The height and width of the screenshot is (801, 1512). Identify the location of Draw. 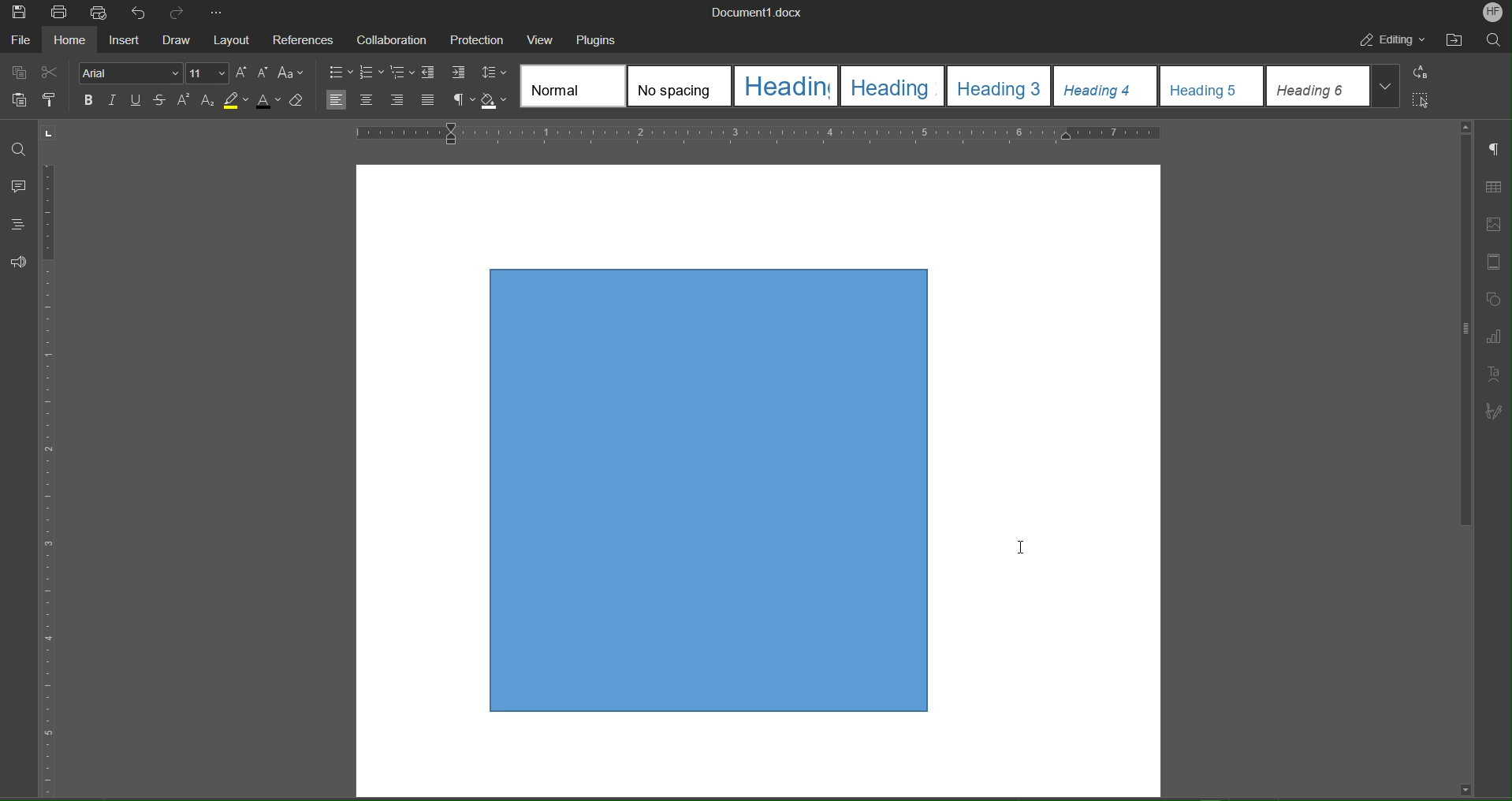
(178, 39).